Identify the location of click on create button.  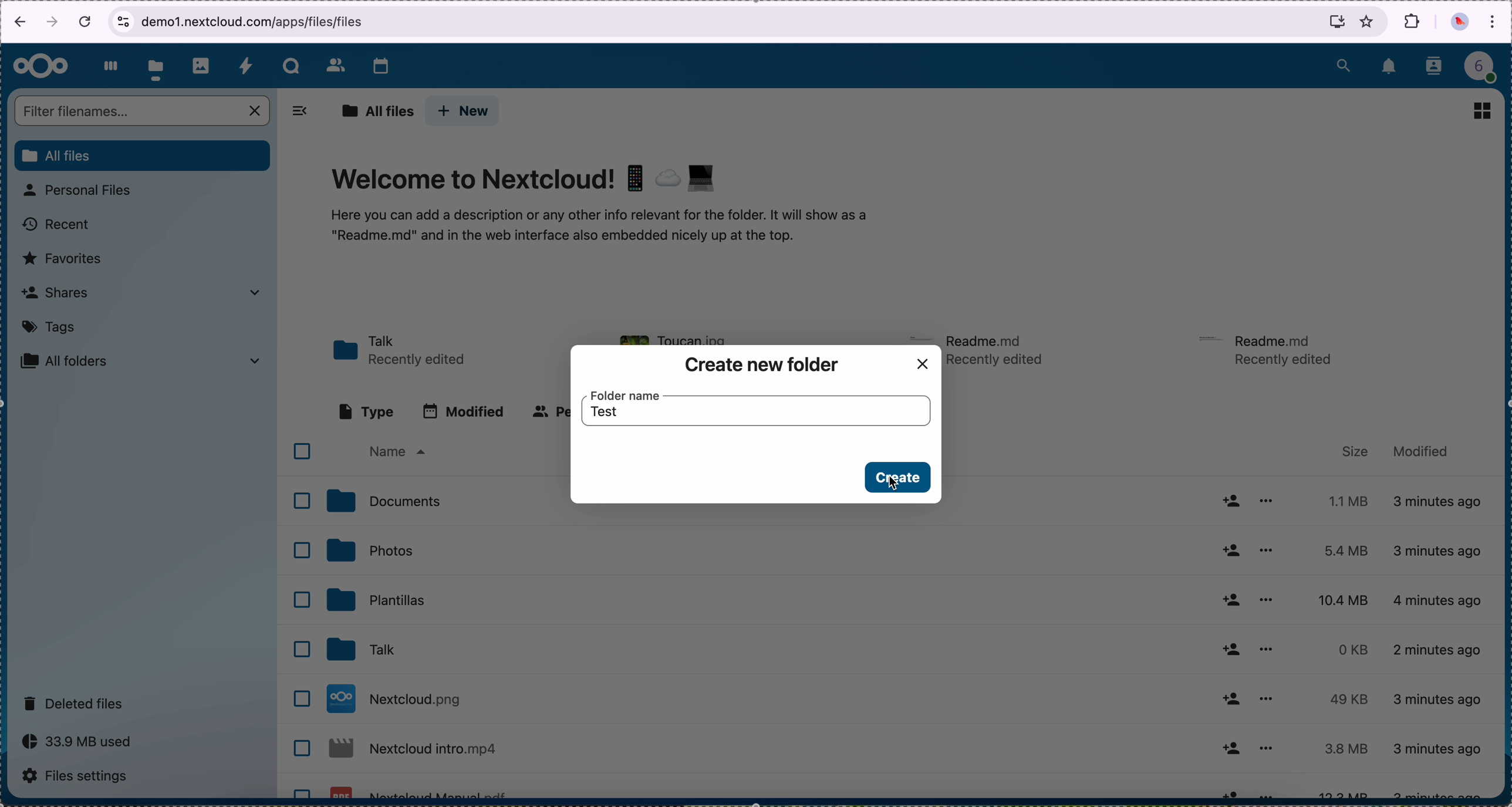
(897, 478).